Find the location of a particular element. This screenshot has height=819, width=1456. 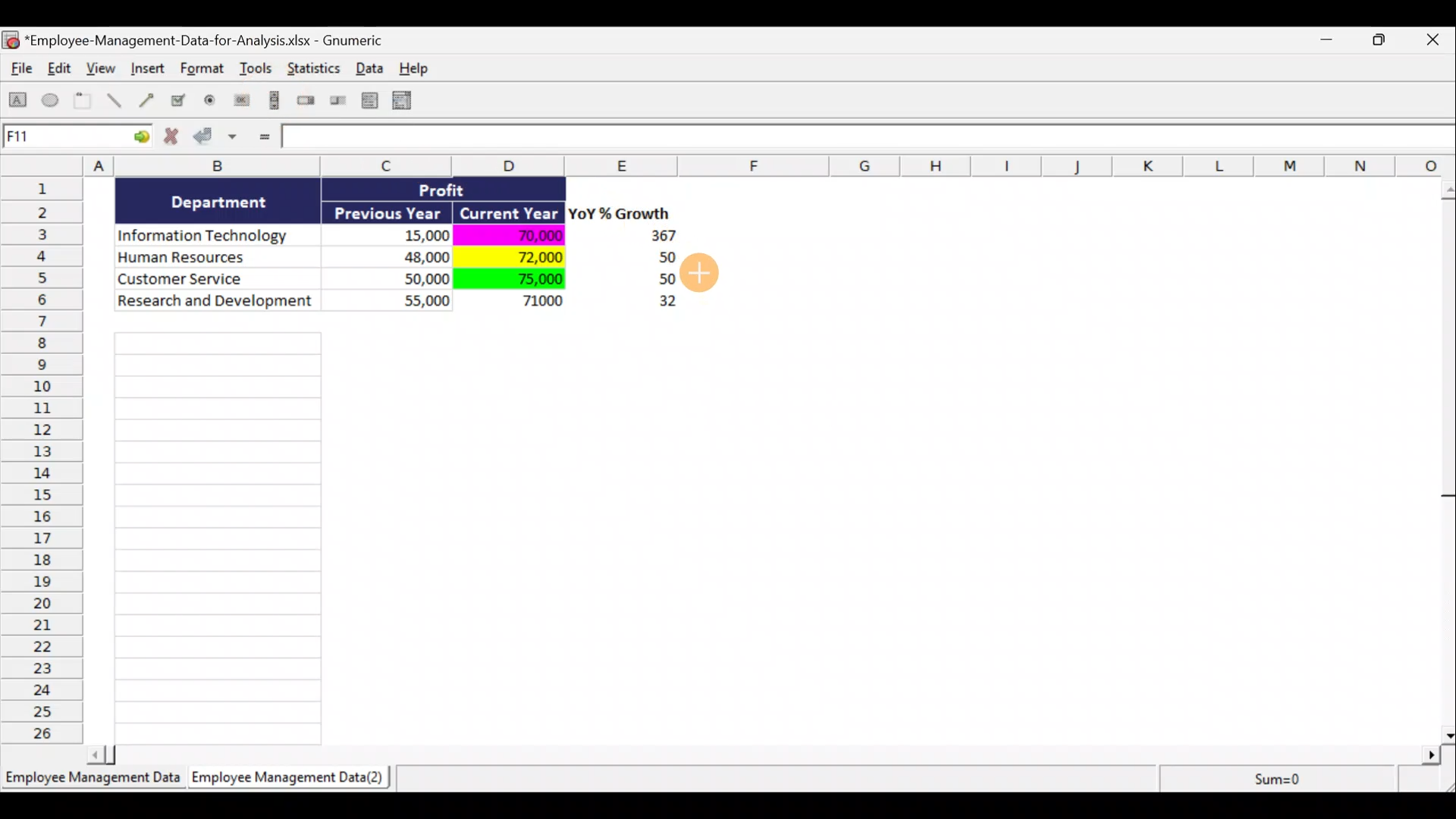

Document name is located at coordinates (201, 42).